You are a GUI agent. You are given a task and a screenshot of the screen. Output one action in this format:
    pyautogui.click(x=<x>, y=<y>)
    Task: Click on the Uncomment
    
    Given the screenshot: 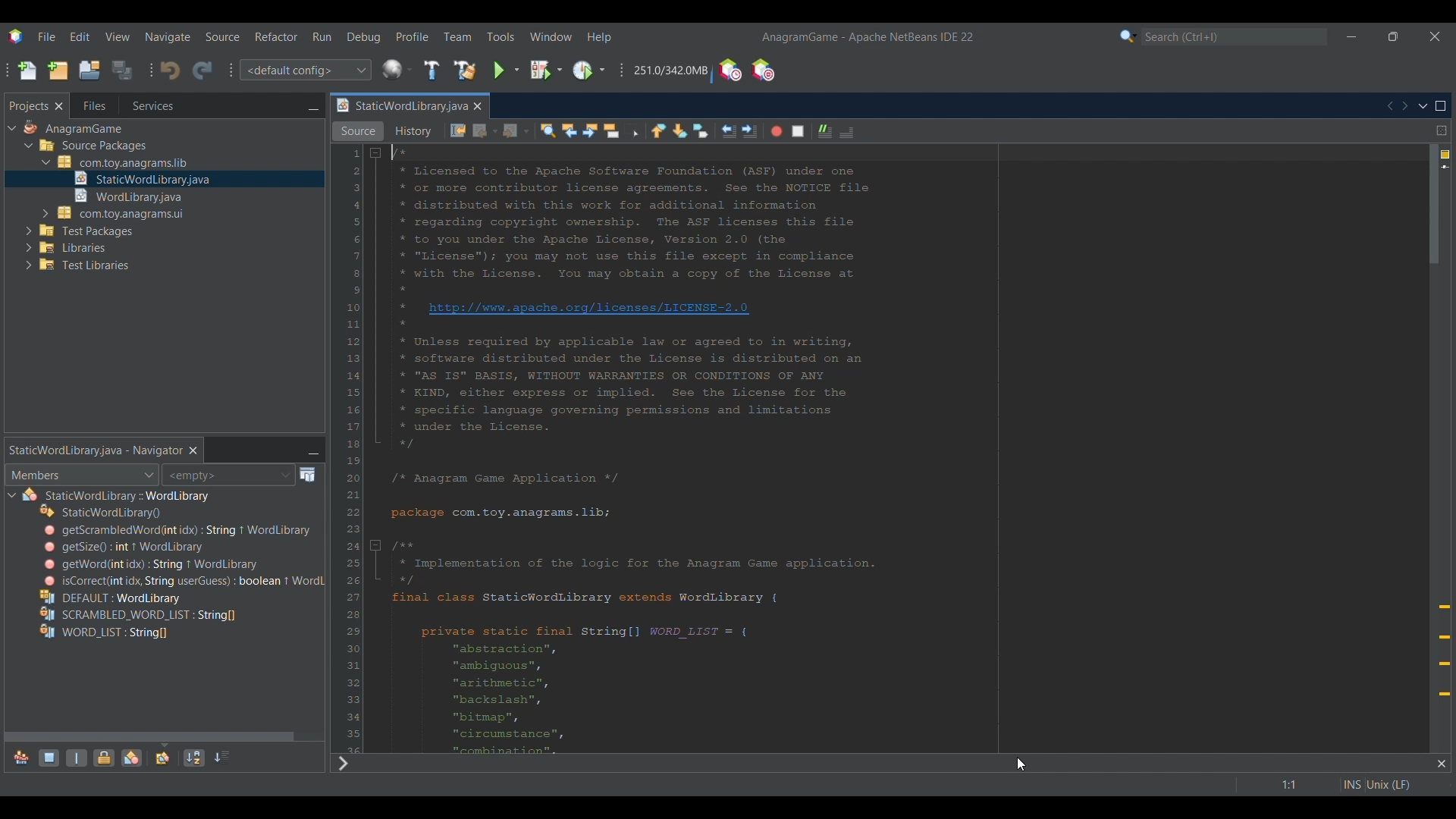 What is the action you would take?
    pyautogui.click(x=847, y=132)
    